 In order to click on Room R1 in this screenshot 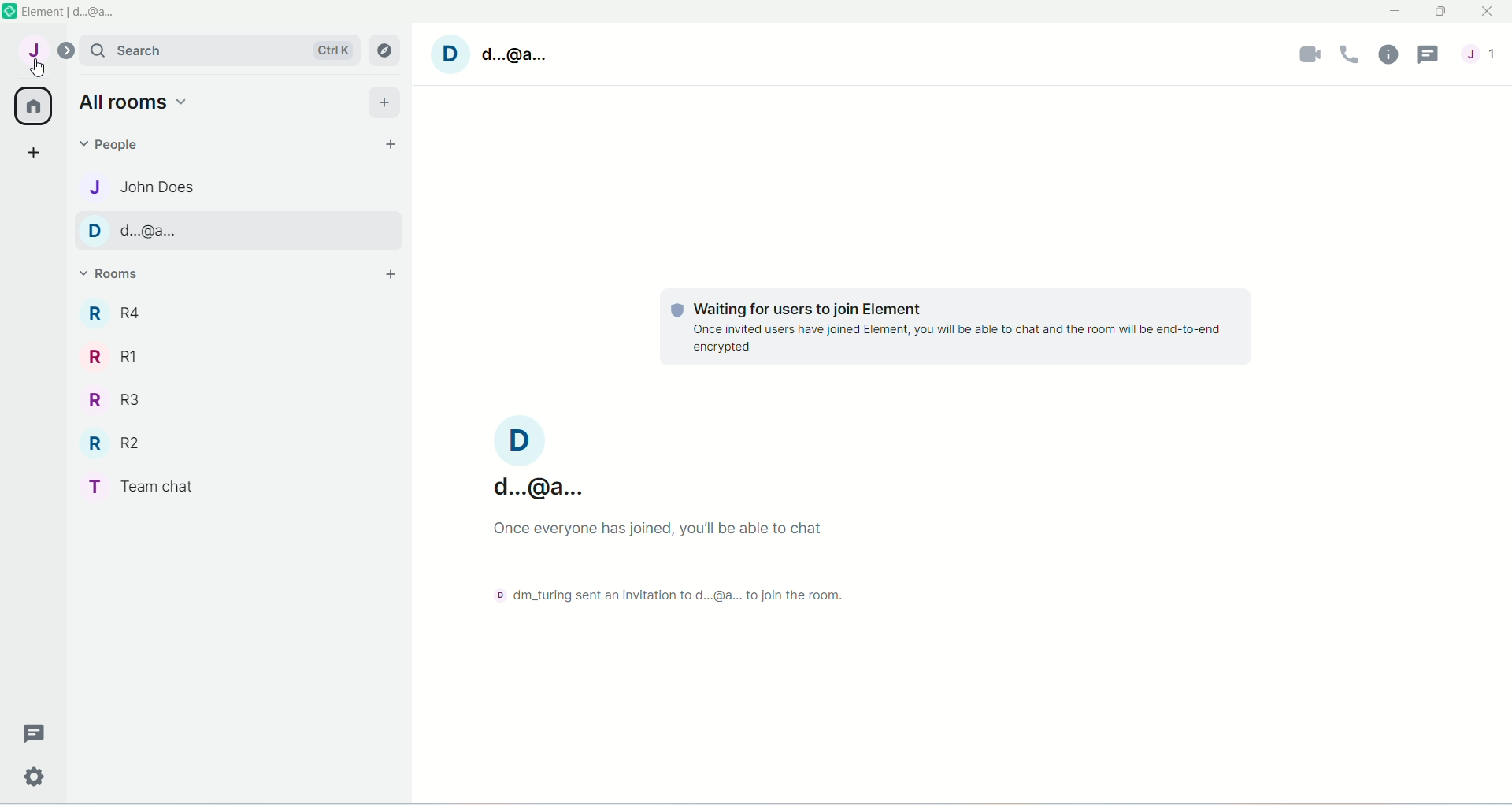, I will do `click(112, 359)`.